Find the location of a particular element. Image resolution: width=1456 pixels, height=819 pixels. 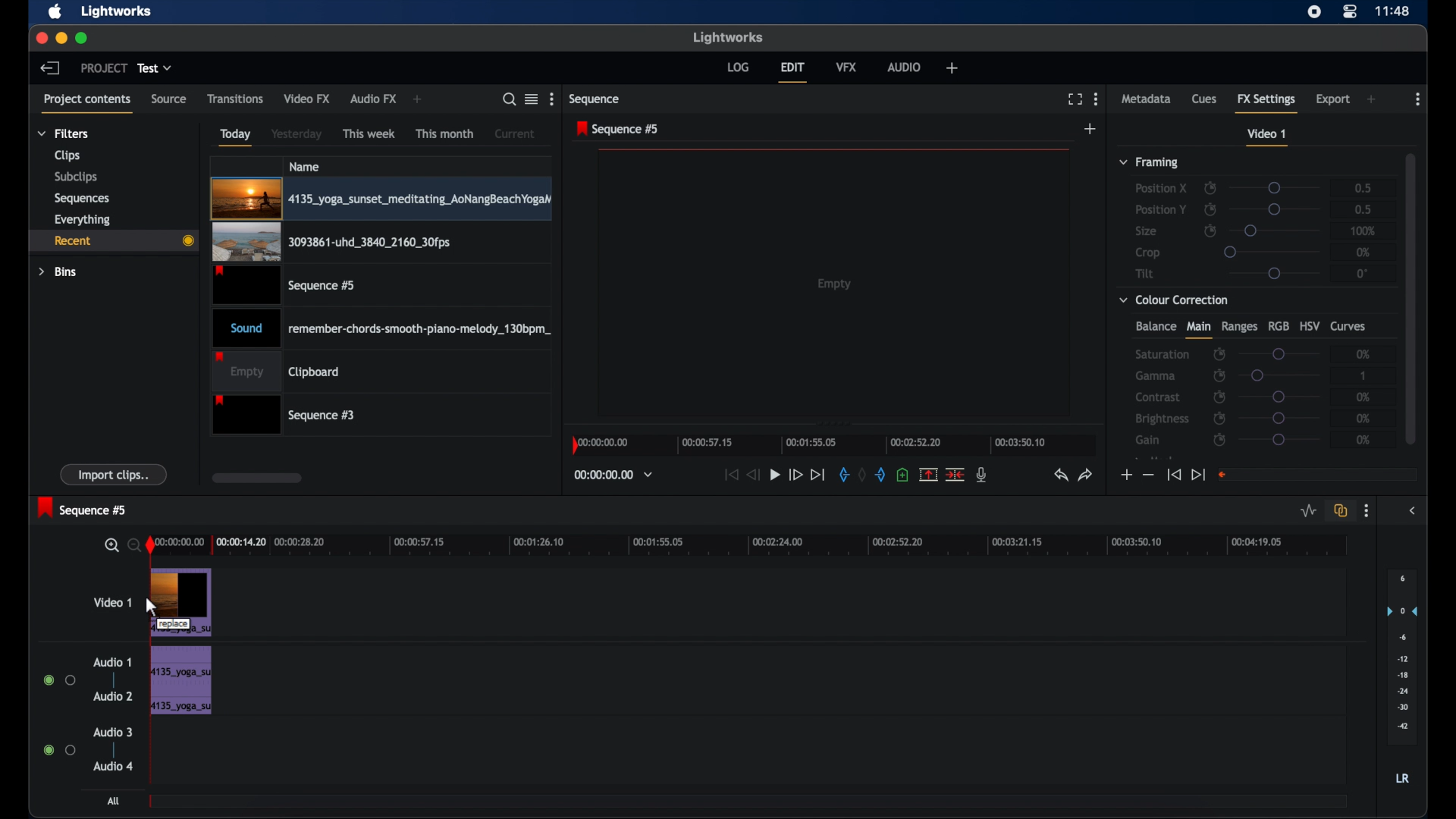

undo is located at coordinates (1061, 475).